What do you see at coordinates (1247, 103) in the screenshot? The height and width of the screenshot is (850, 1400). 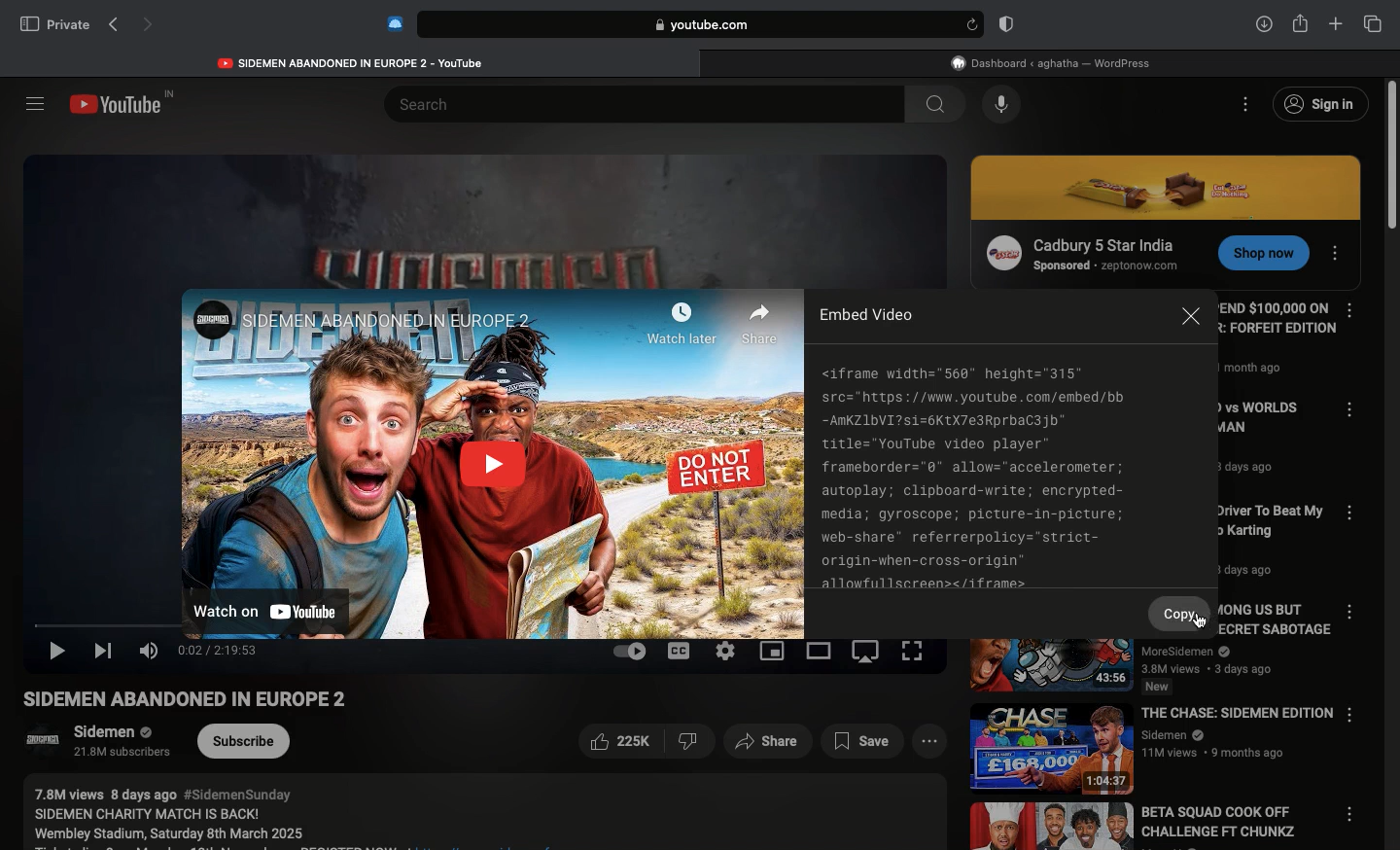 I see `Options` at bounding box center [1247, 103].